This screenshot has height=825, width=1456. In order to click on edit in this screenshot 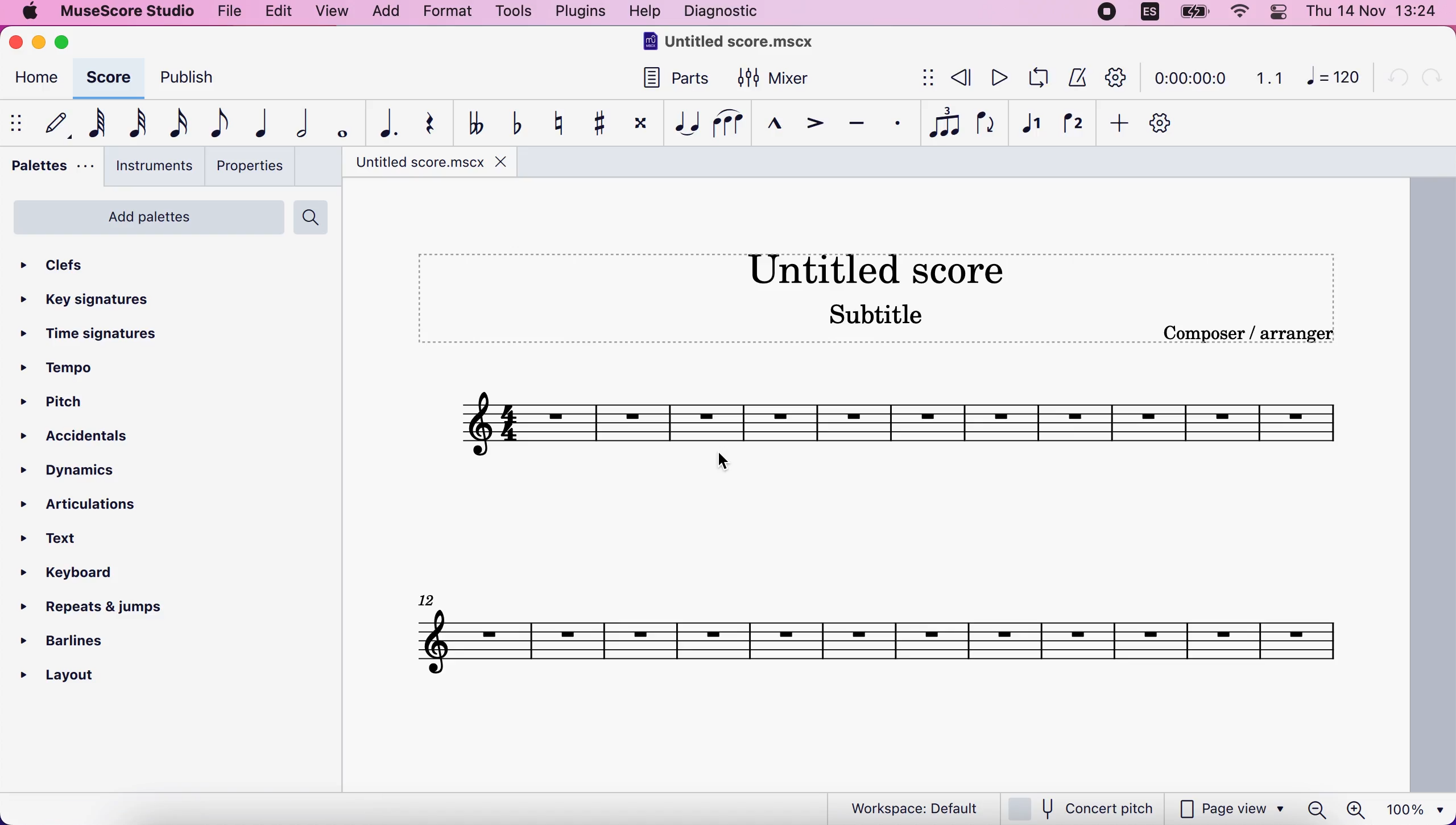, I will do `click(283, 11)`.